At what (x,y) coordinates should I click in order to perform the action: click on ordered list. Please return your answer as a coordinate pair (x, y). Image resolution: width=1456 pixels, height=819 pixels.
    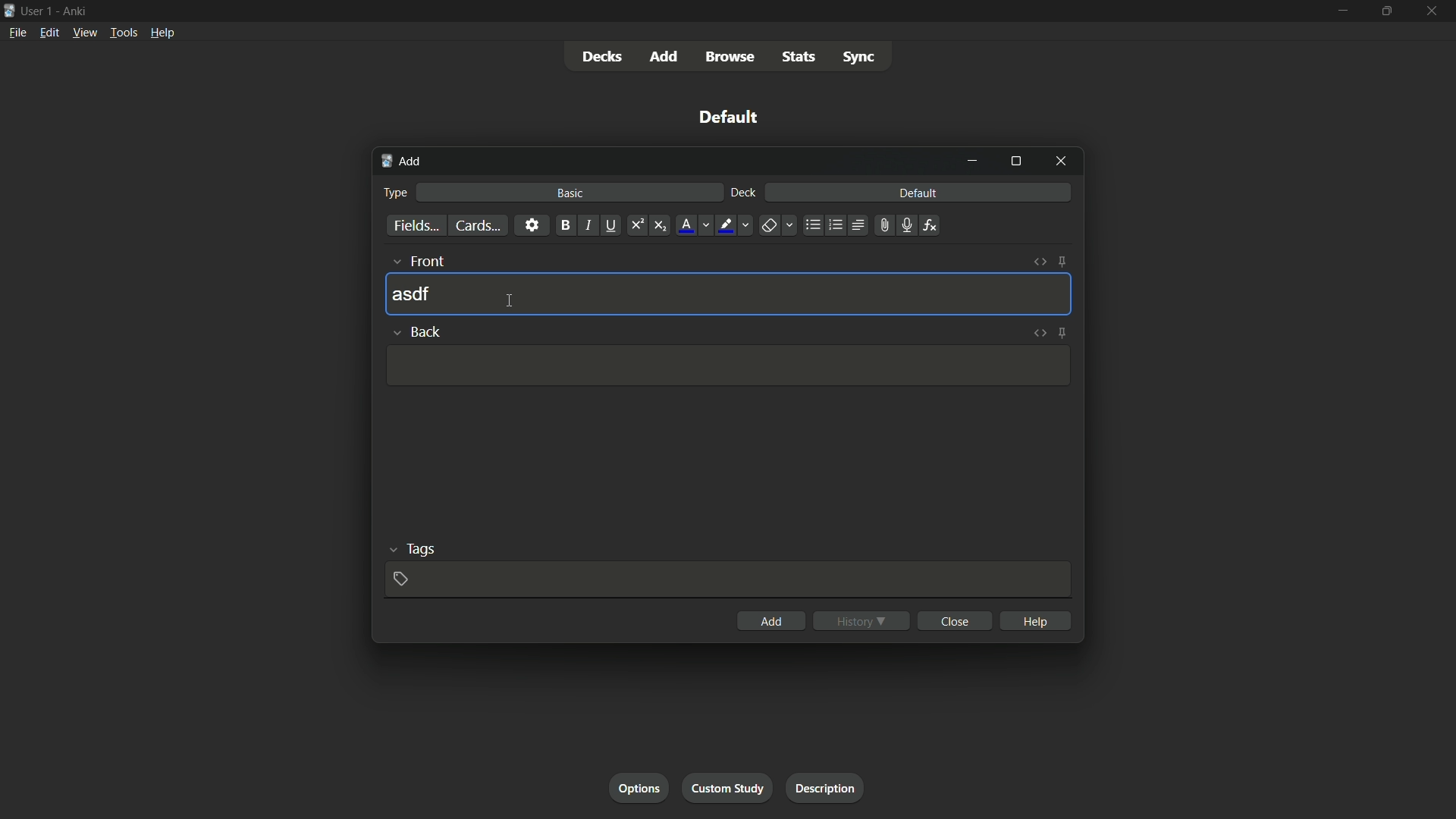
    Looking at the image, I should click on (836, 226).